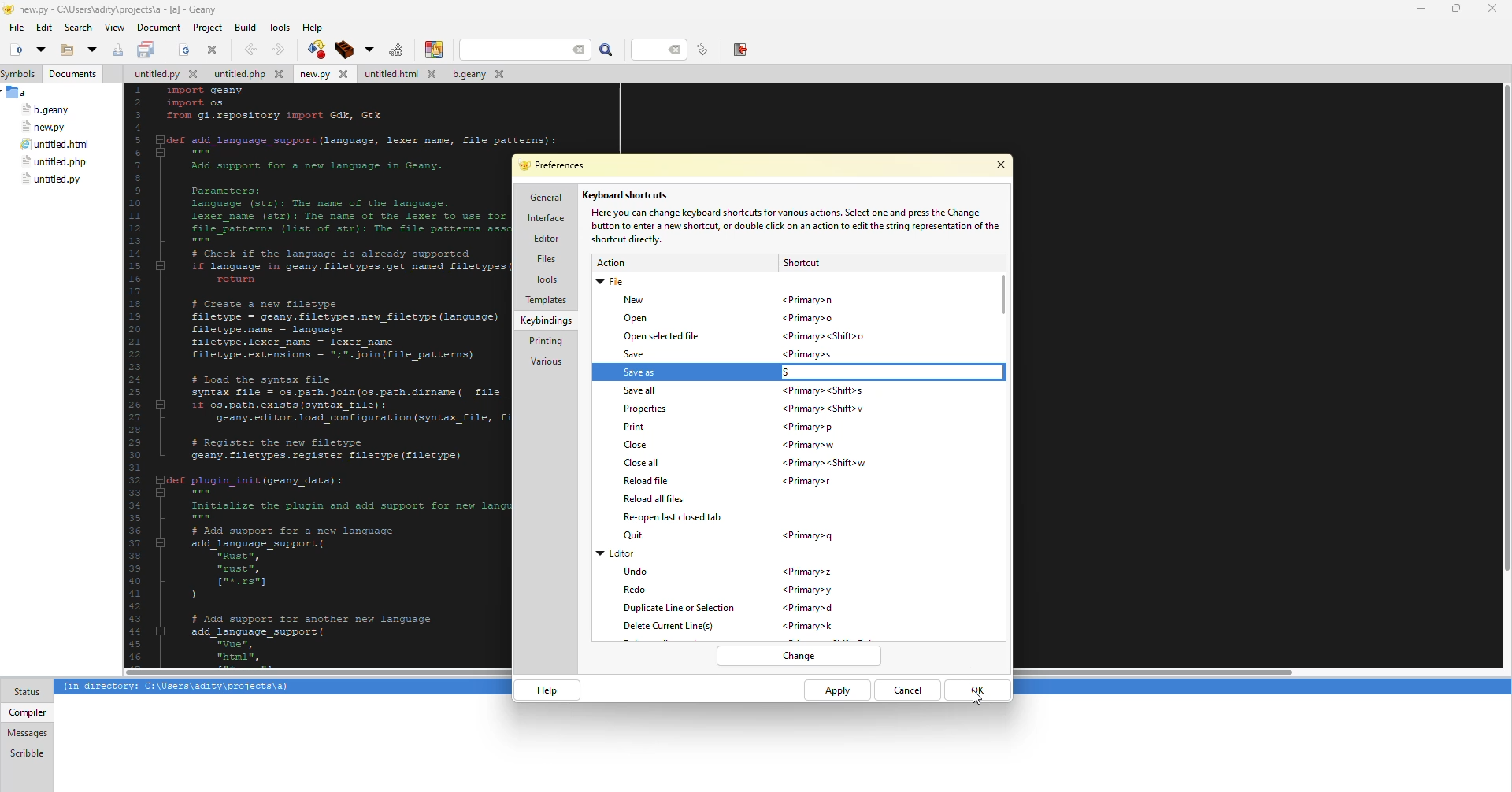  What do you see at coordinates (248, 76) in the screenshot?
I see `file` at bounding box center [248, 76].